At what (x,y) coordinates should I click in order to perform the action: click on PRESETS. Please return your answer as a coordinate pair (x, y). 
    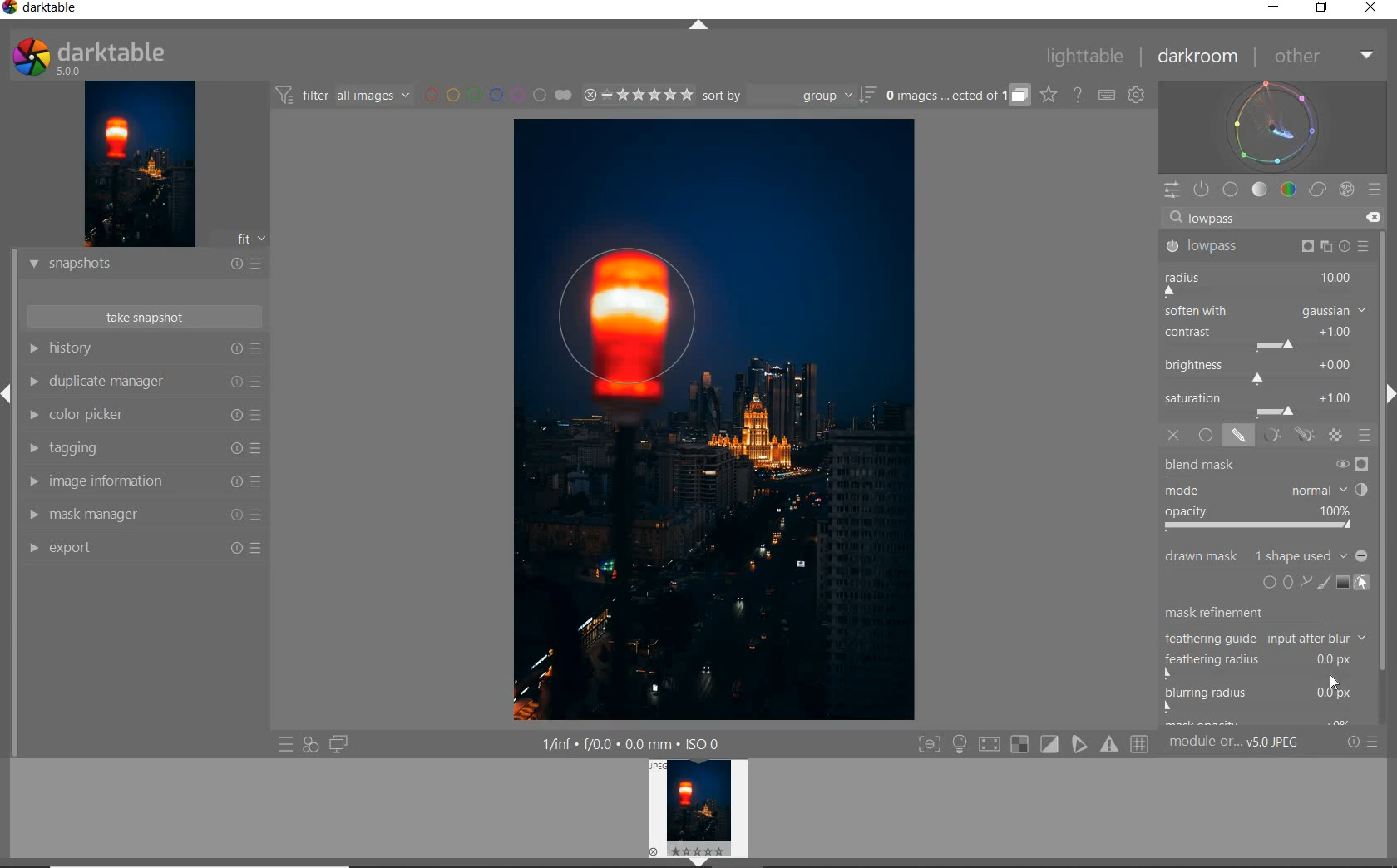
    Looking at the image, I should click on (1376, 191).